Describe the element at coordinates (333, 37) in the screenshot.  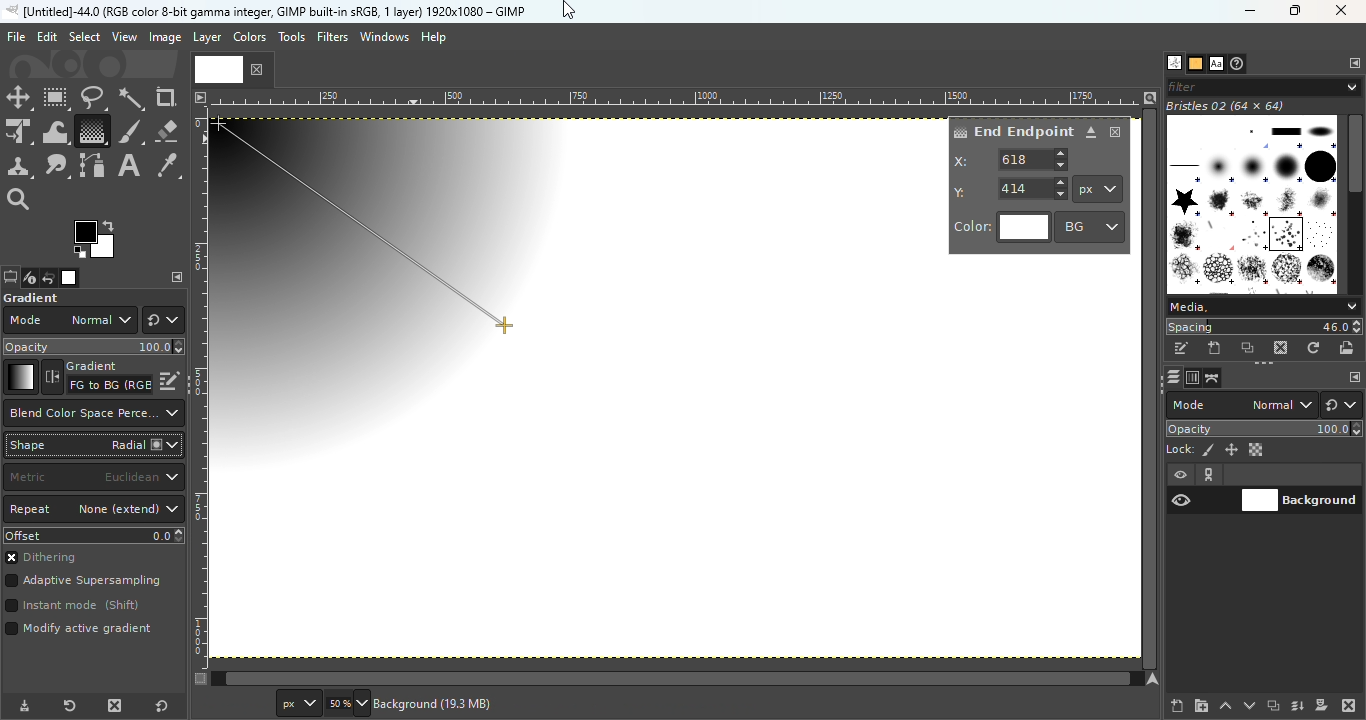
I see `Filters` at that location.